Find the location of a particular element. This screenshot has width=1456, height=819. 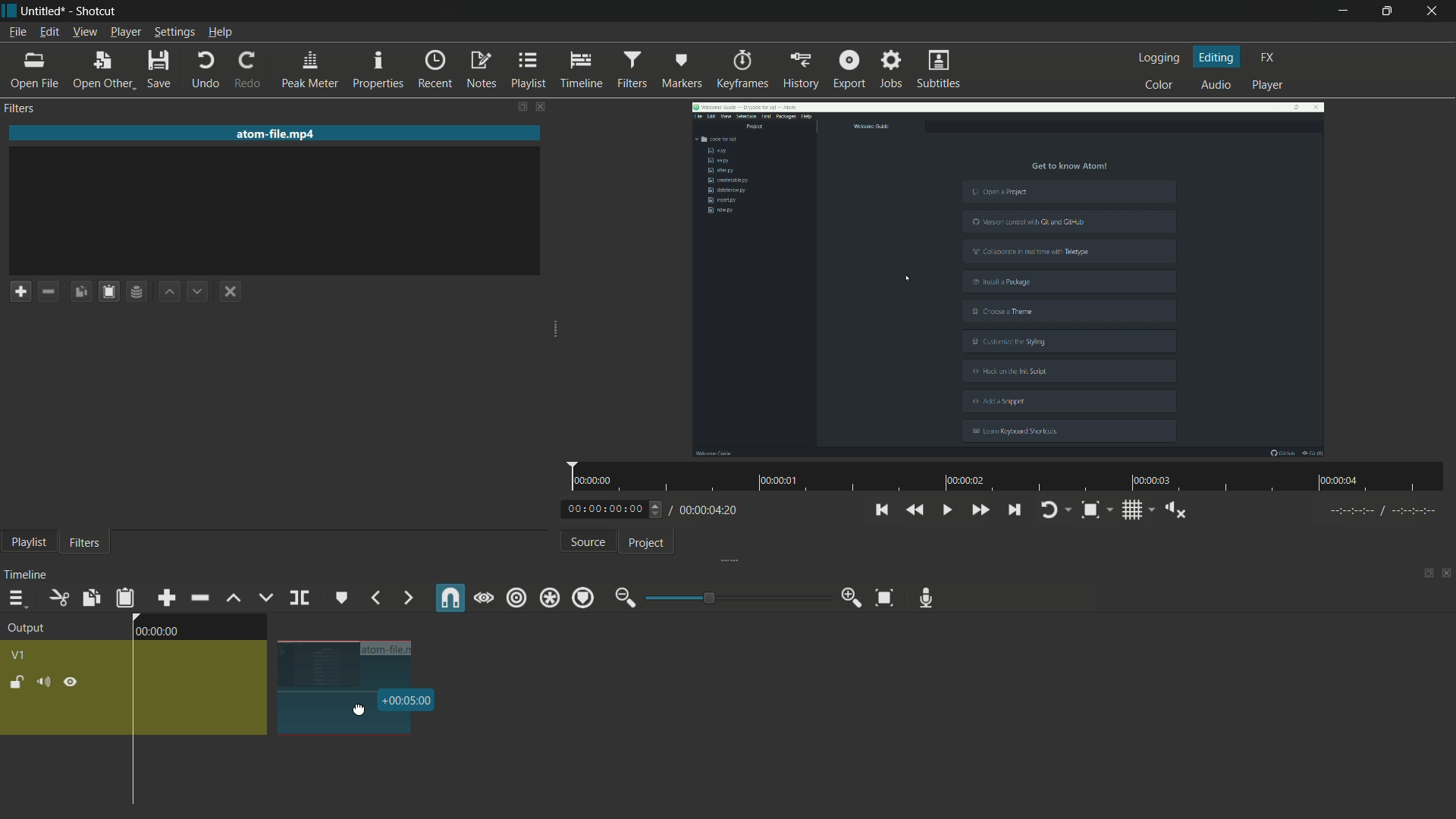

filters is located at coordinates (632, 68).